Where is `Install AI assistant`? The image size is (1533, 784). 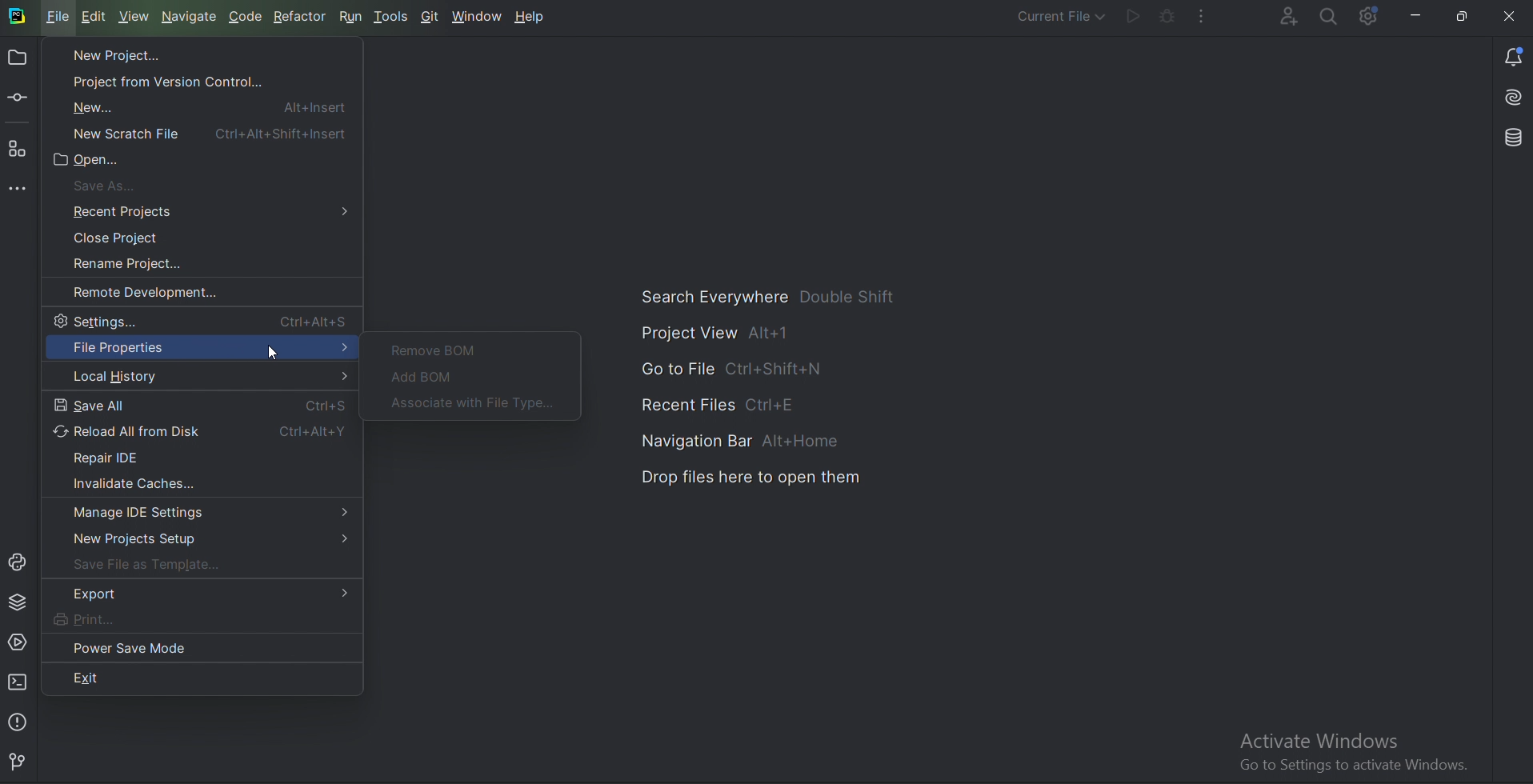 Install AI assistant is located at coordinates (1515, 93).